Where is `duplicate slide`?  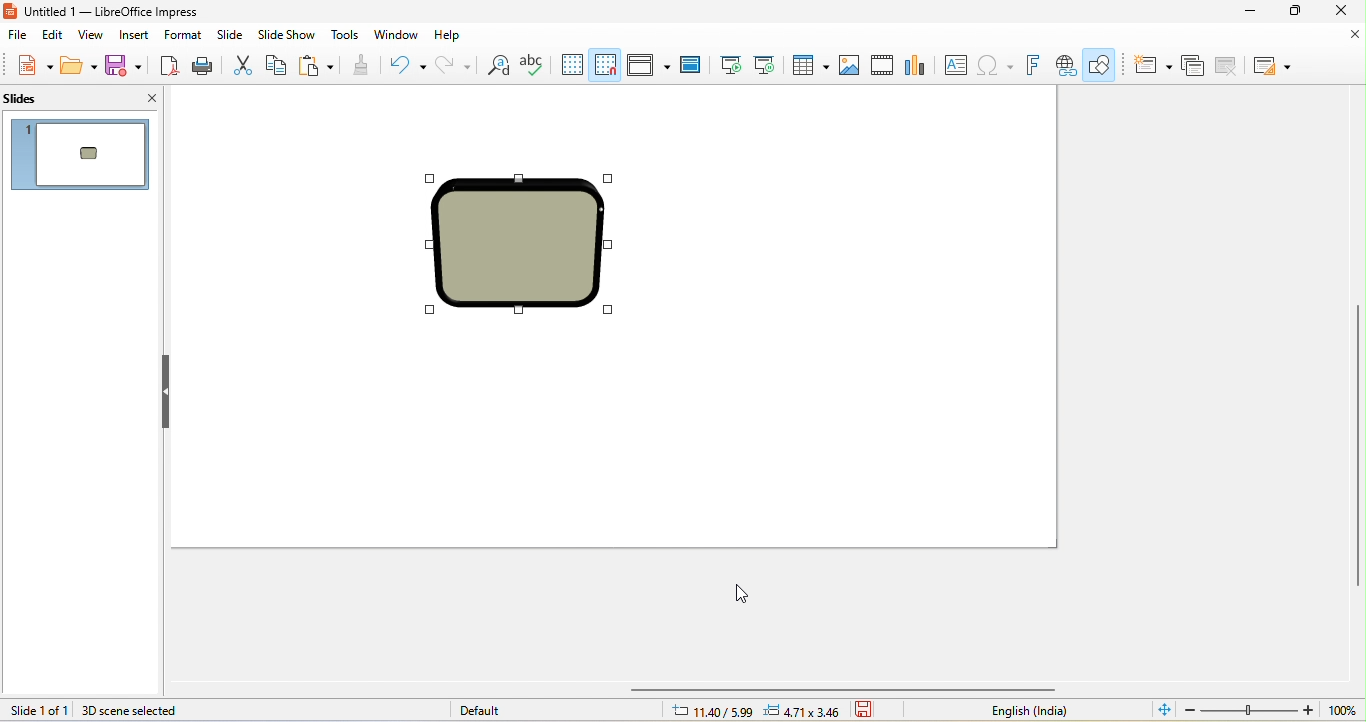 duplicate slide is located at coordinates (1195, 65).